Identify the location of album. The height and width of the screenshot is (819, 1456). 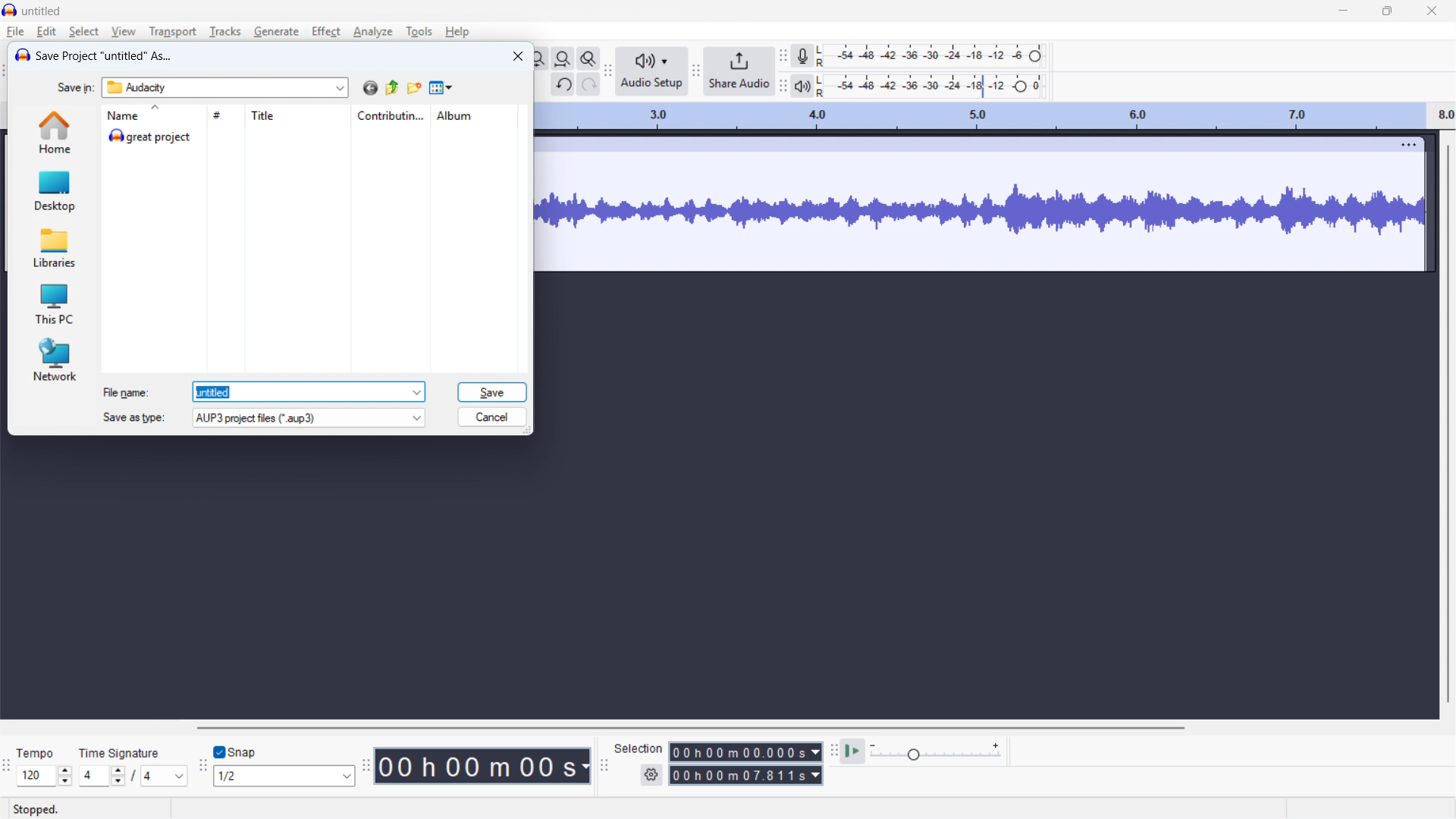
(474, 115).